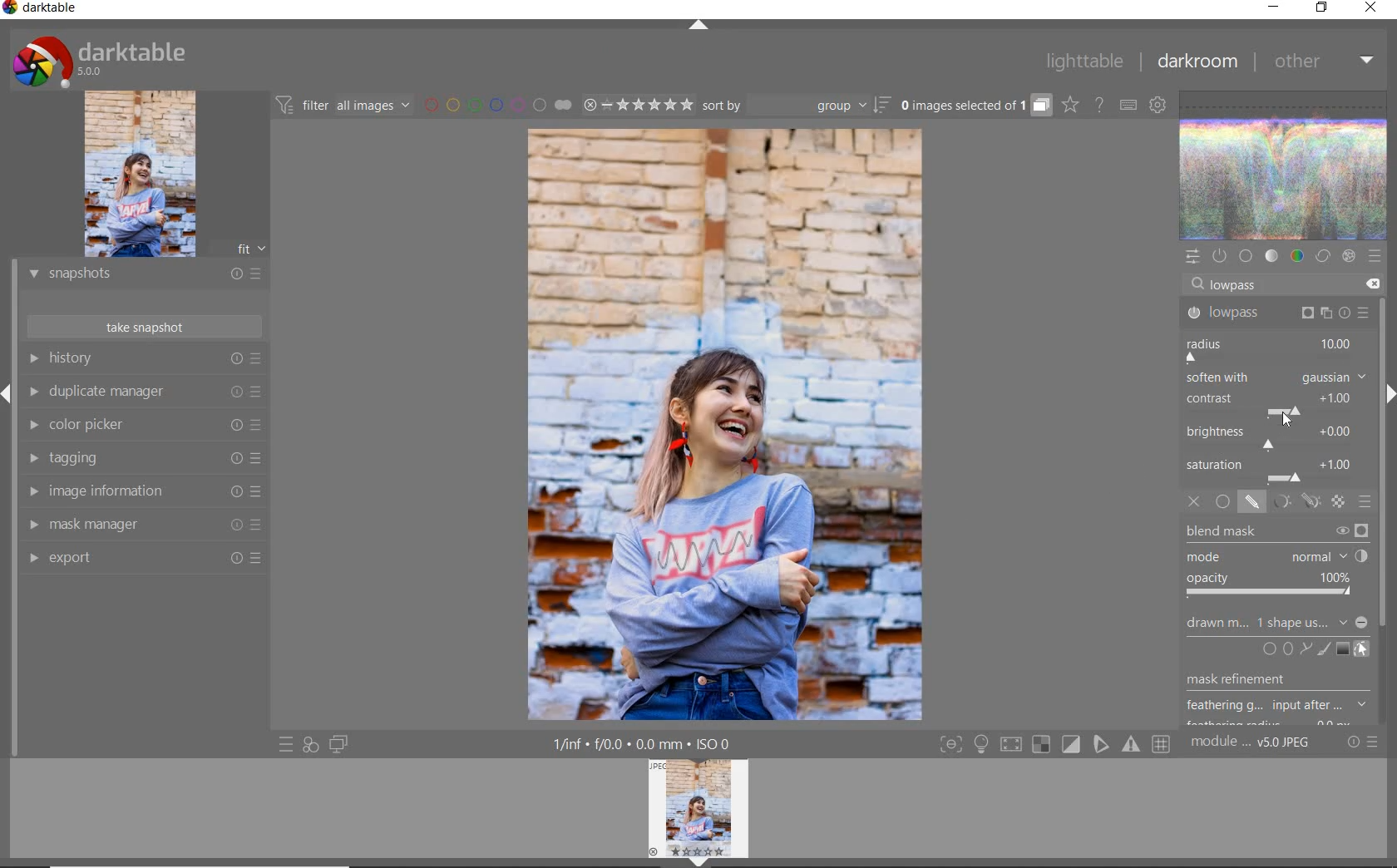 This screenshot has height=868, width=1397. I want to click on module..v50JPEG, so click(1253, 743).